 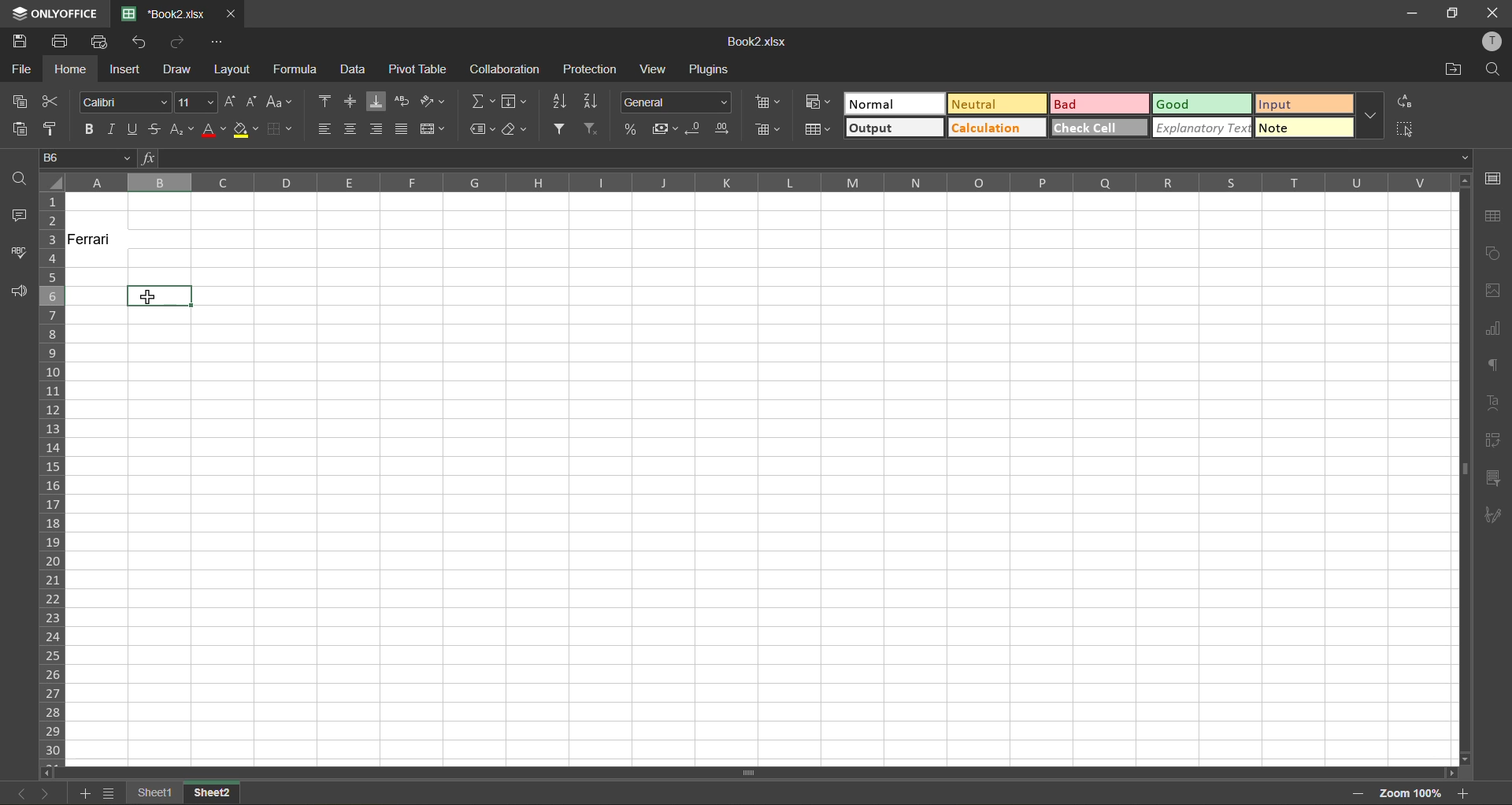 I want to click on close, so click(x=232, y=14).